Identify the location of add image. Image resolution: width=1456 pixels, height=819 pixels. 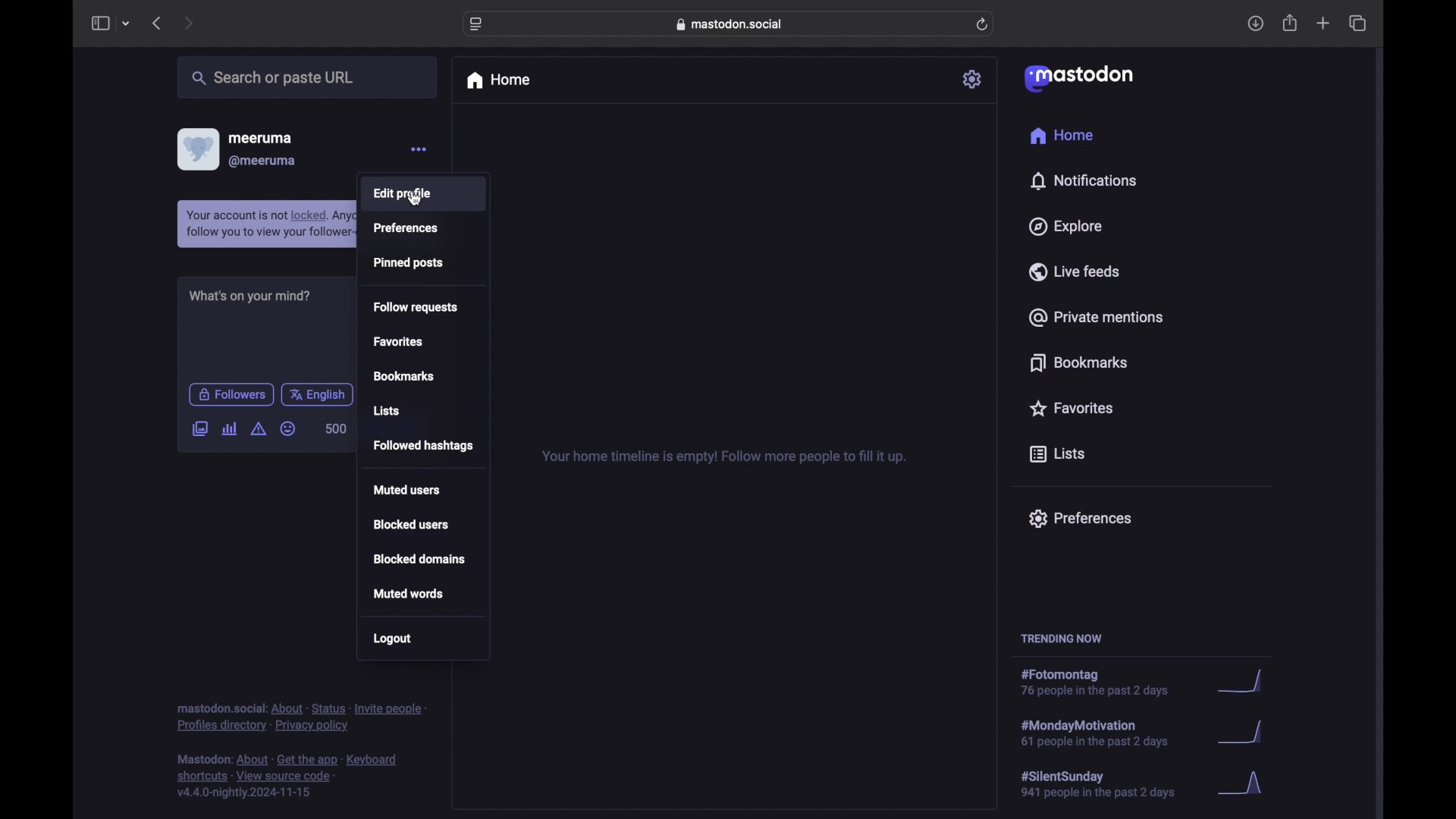
(199, 429).